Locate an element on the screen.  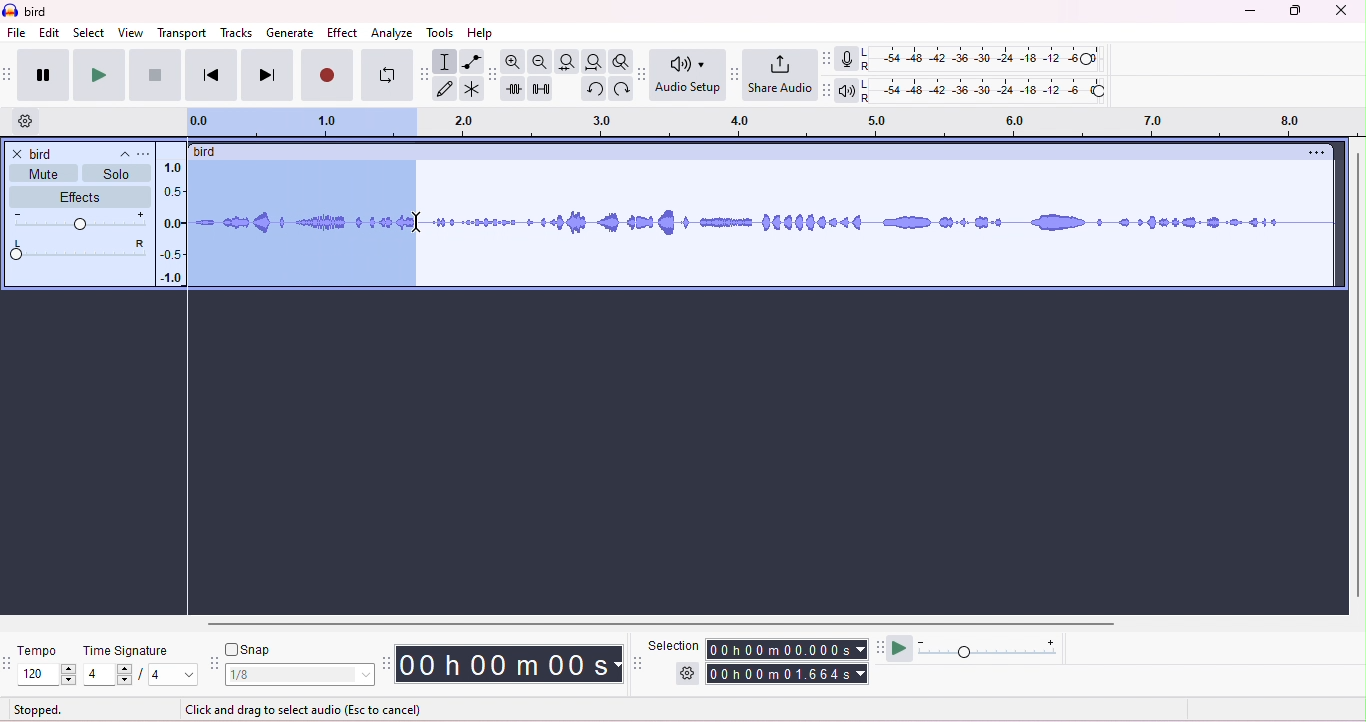
transport tool bar is located at coordinates (9, 72).